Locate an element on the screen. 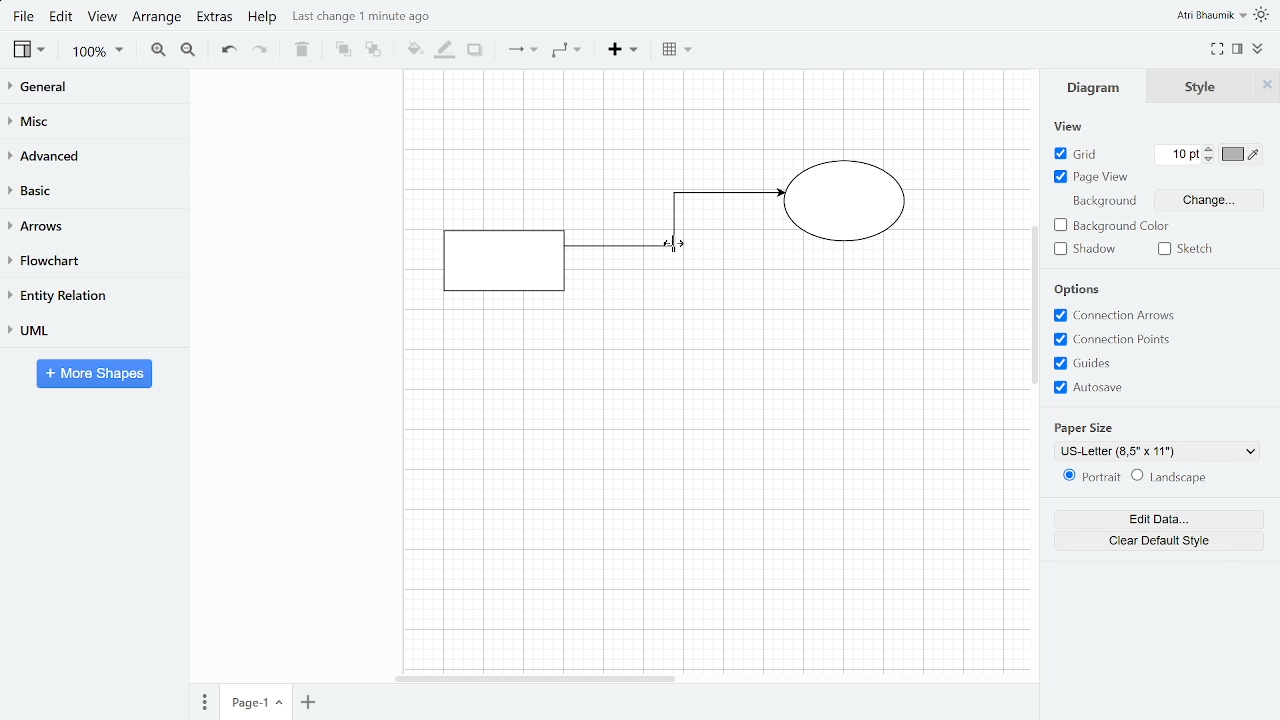 This screenshot has width=1280, height=720. Misc is located at coordinates (93, 122).